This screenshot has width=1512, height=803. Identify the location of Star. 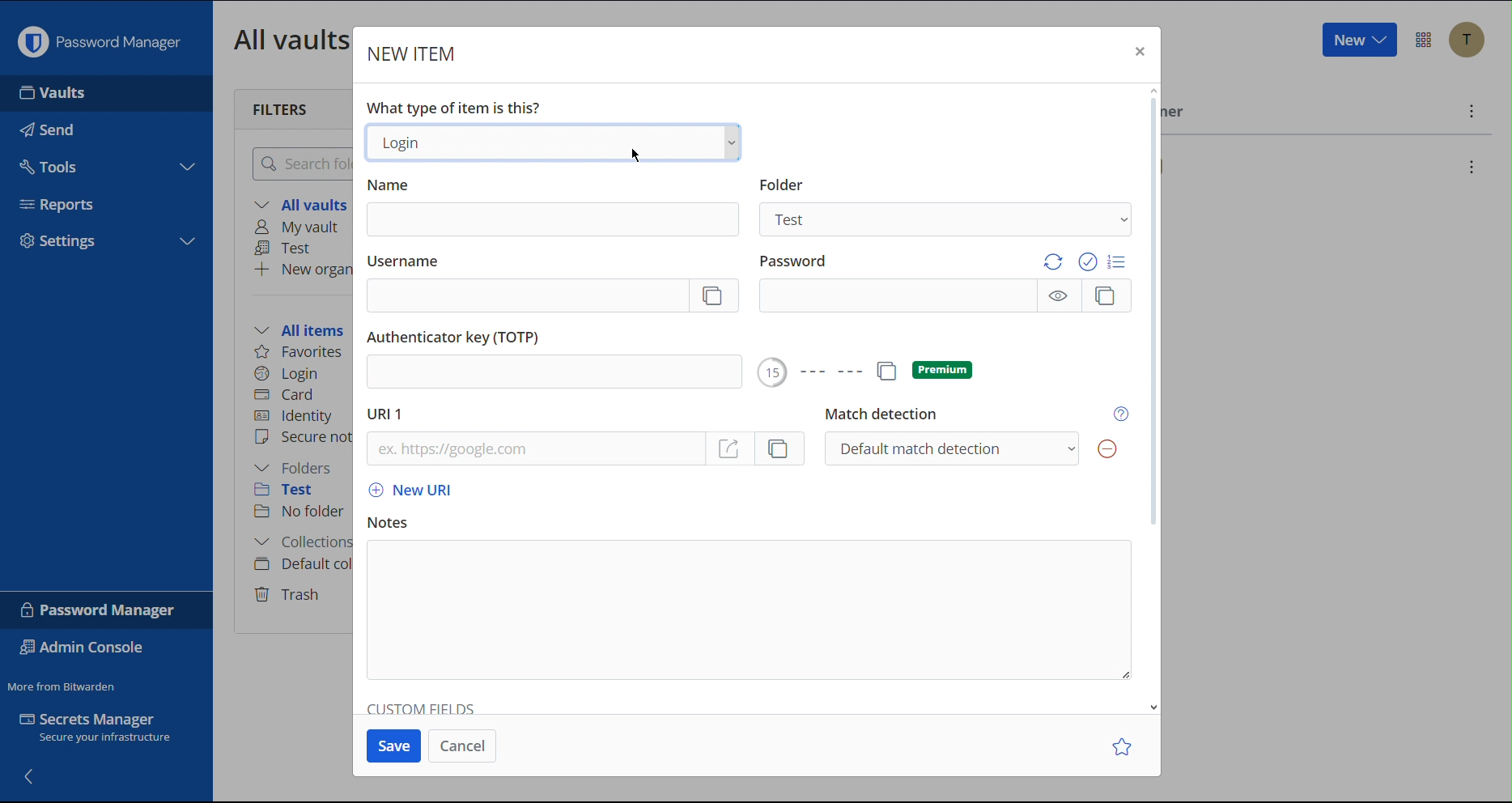
(1124, 746).